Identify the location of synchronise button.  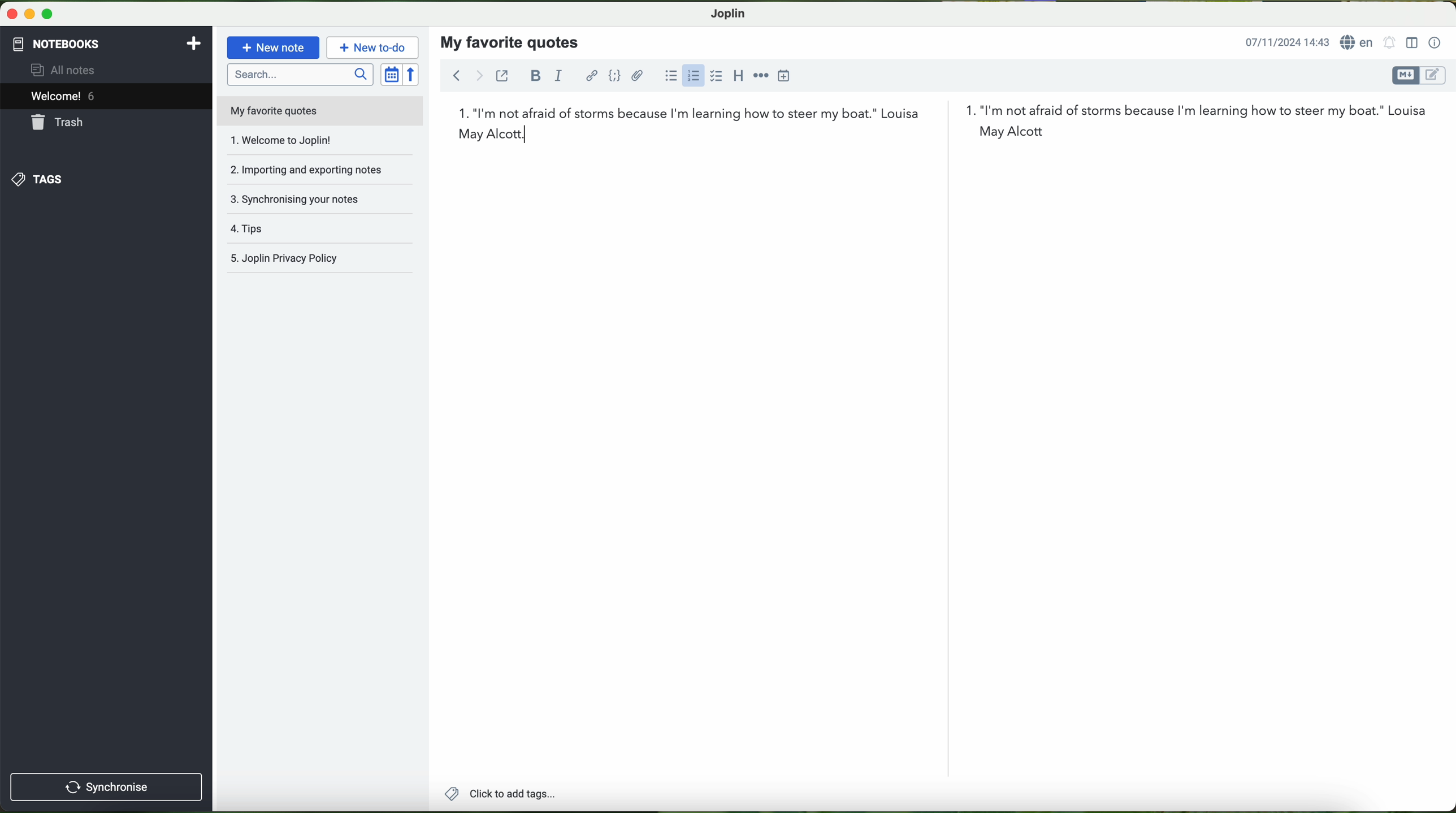
(107, 788).